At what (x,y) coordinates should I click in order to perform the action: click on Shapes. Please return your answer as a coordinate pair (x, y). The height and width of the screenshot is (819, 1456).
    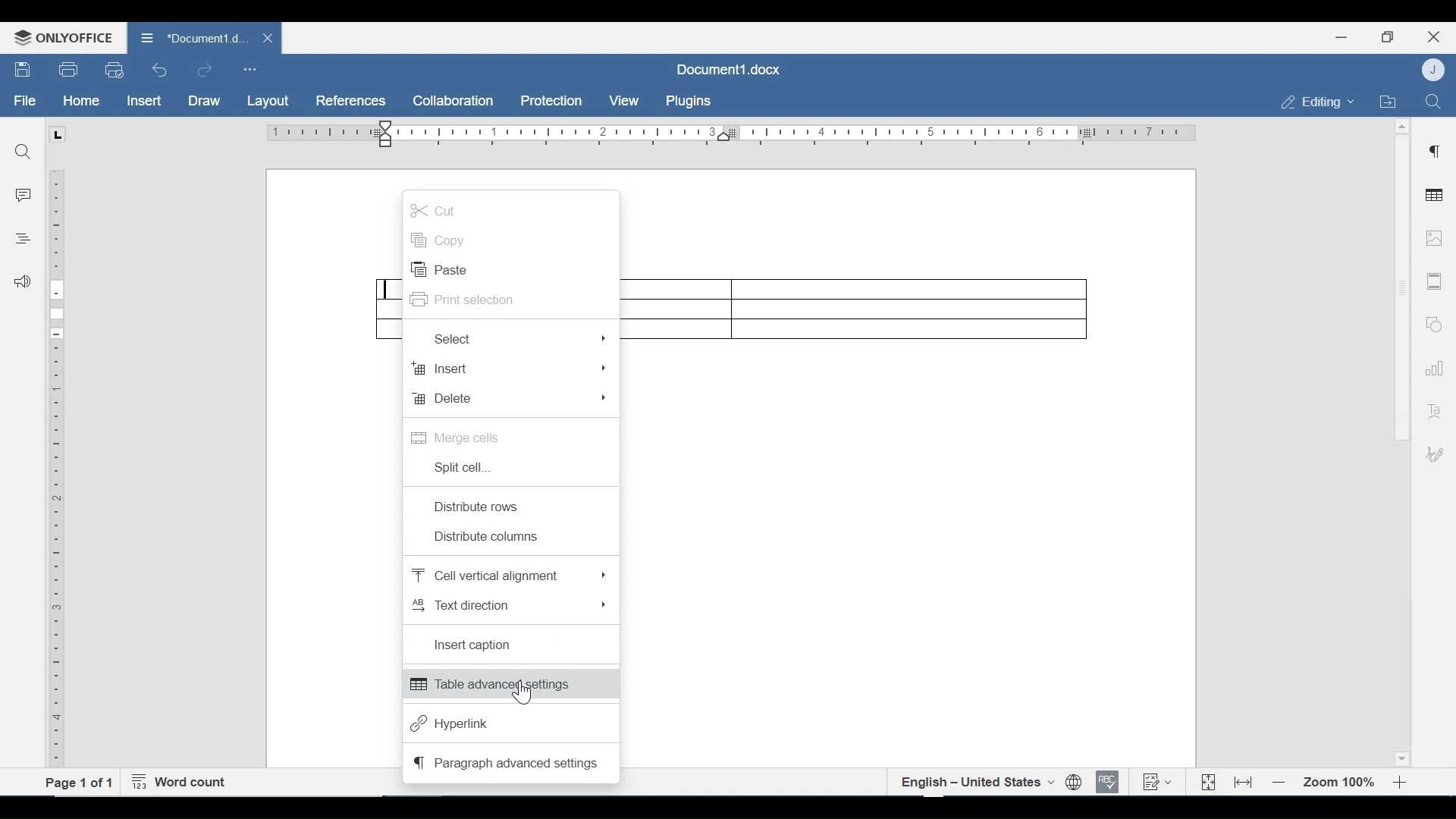
    Looking at the image, I should click on (1432, 322).